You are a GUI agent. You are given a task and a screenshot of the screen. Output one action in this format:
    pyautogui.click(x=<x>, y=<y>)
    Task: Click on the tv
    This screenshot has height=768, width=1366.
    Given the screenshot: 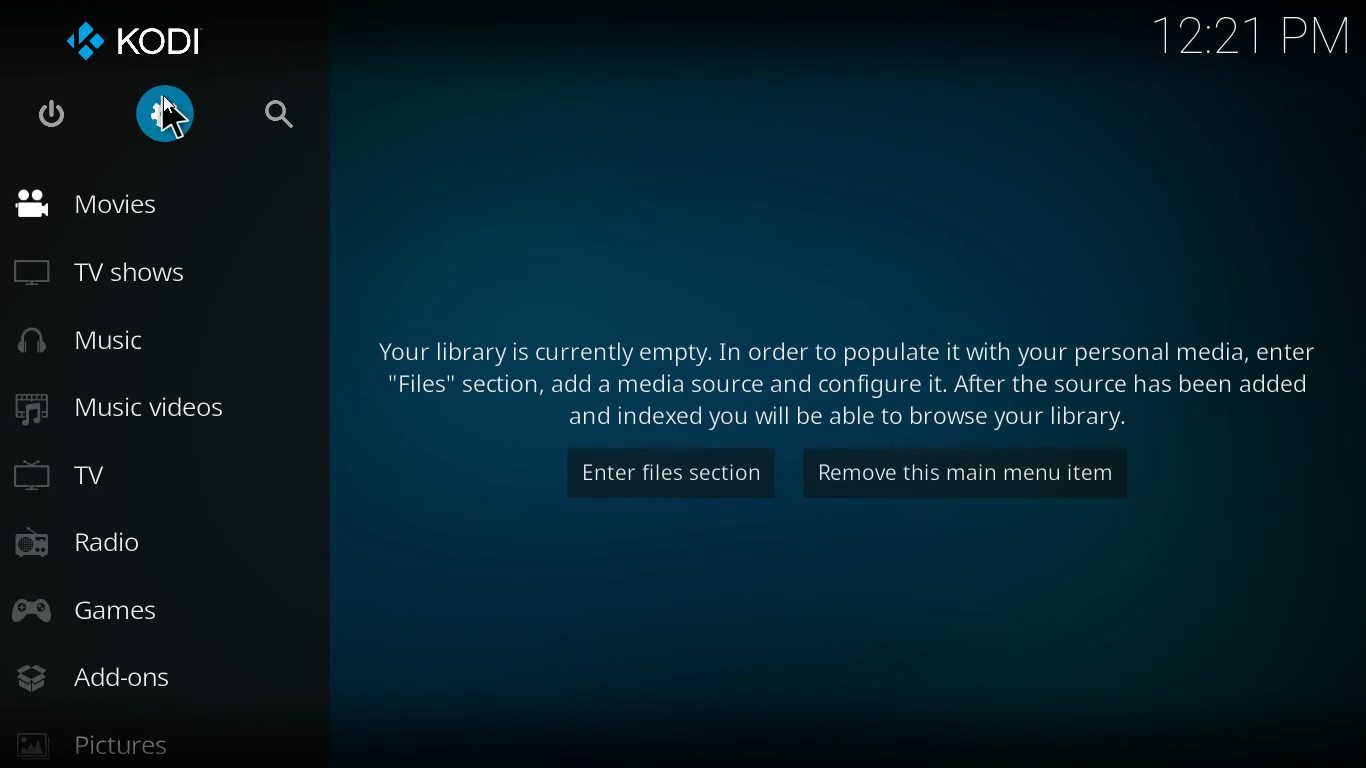 What is the action you would take?
    pyautogui.click(x=158, y=475)
    